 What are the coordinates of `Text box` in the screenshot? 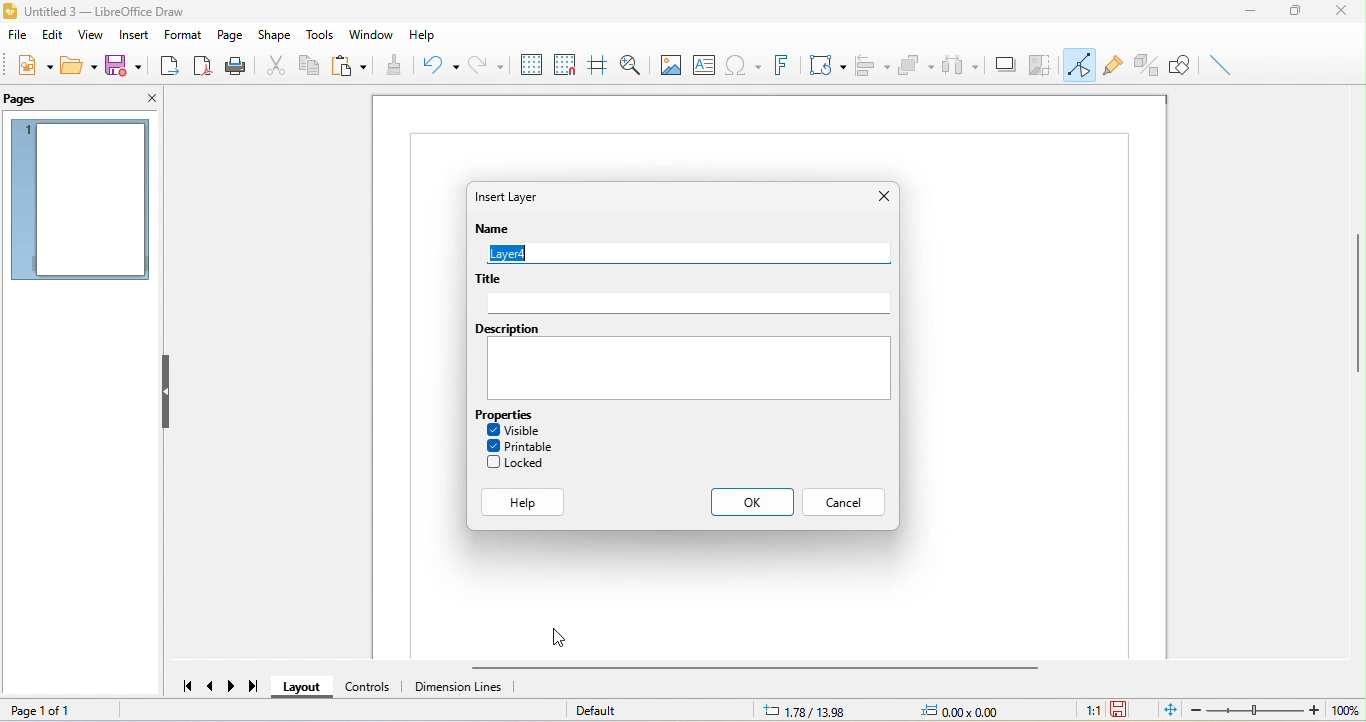 It's located at (692, 369).